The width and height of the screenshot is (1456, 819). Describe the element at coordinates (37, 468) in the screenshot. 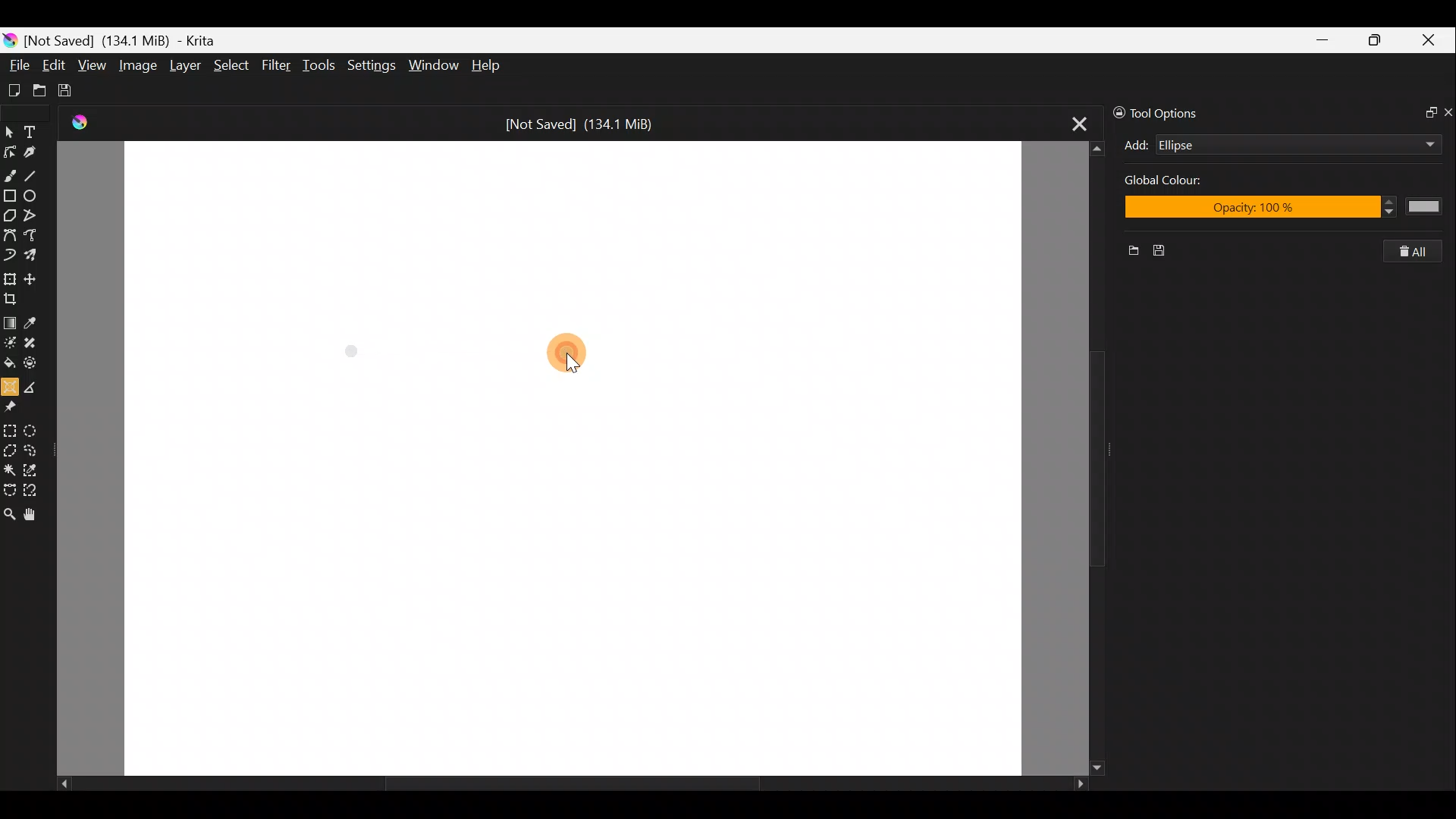

I see `Similar color selection tool` at that location.